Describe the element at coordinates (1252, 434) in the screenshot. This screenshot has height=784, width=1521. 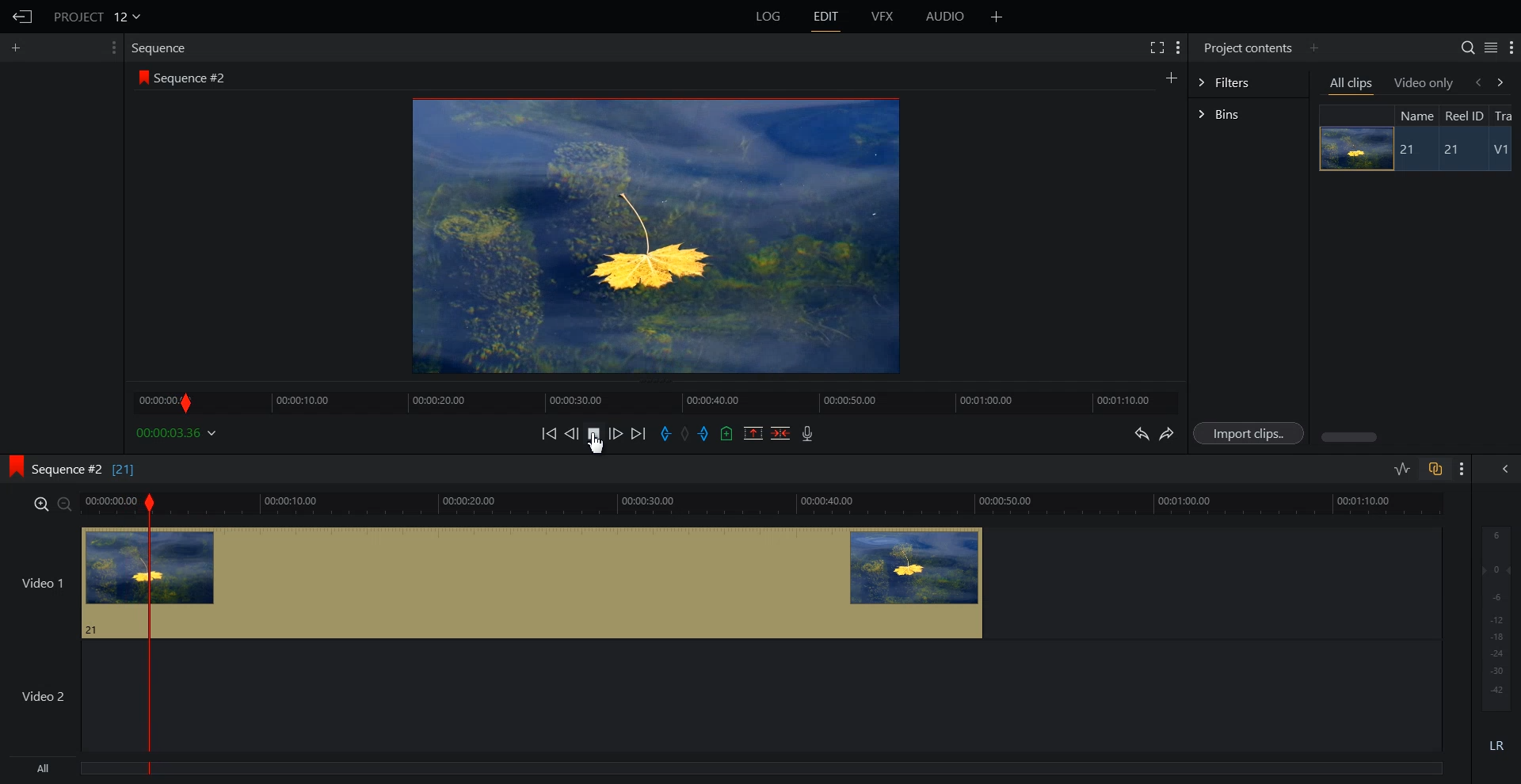
I see `Import clips` at that location.